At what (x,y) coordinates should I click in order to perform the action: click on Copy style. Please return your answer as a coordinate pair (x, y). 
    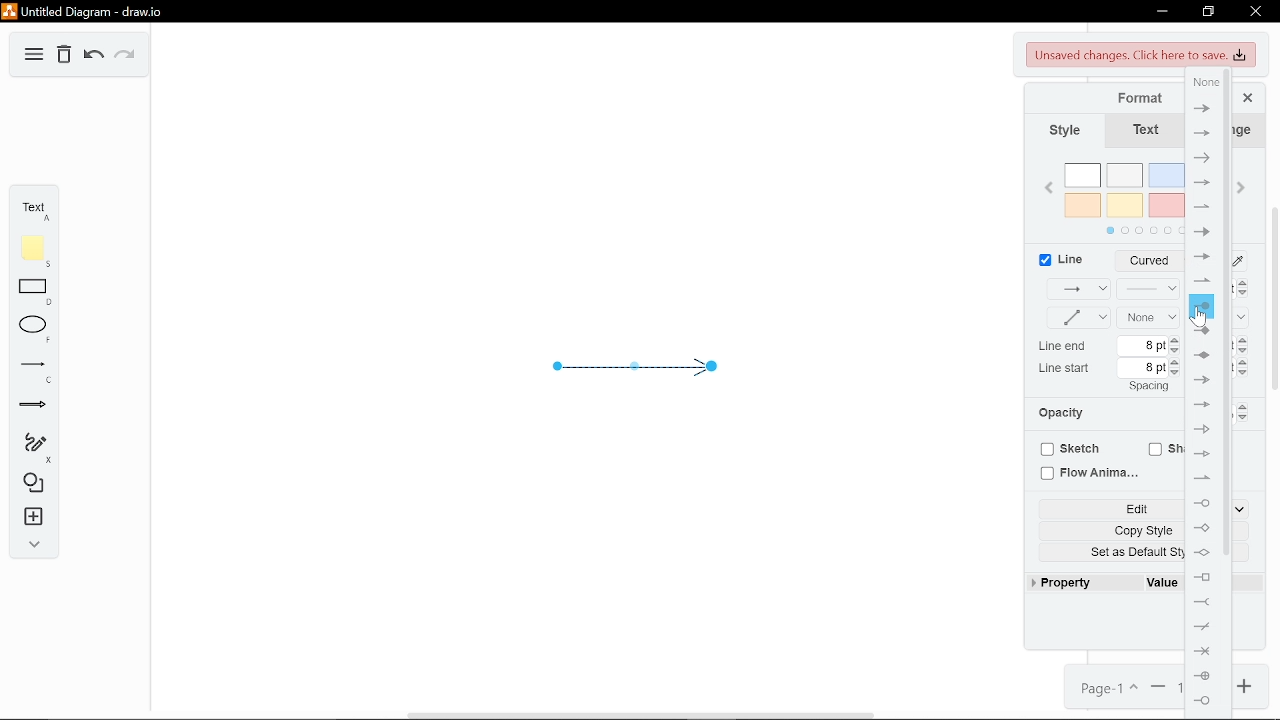
    Looking at the image, I should click on (1116, 531).